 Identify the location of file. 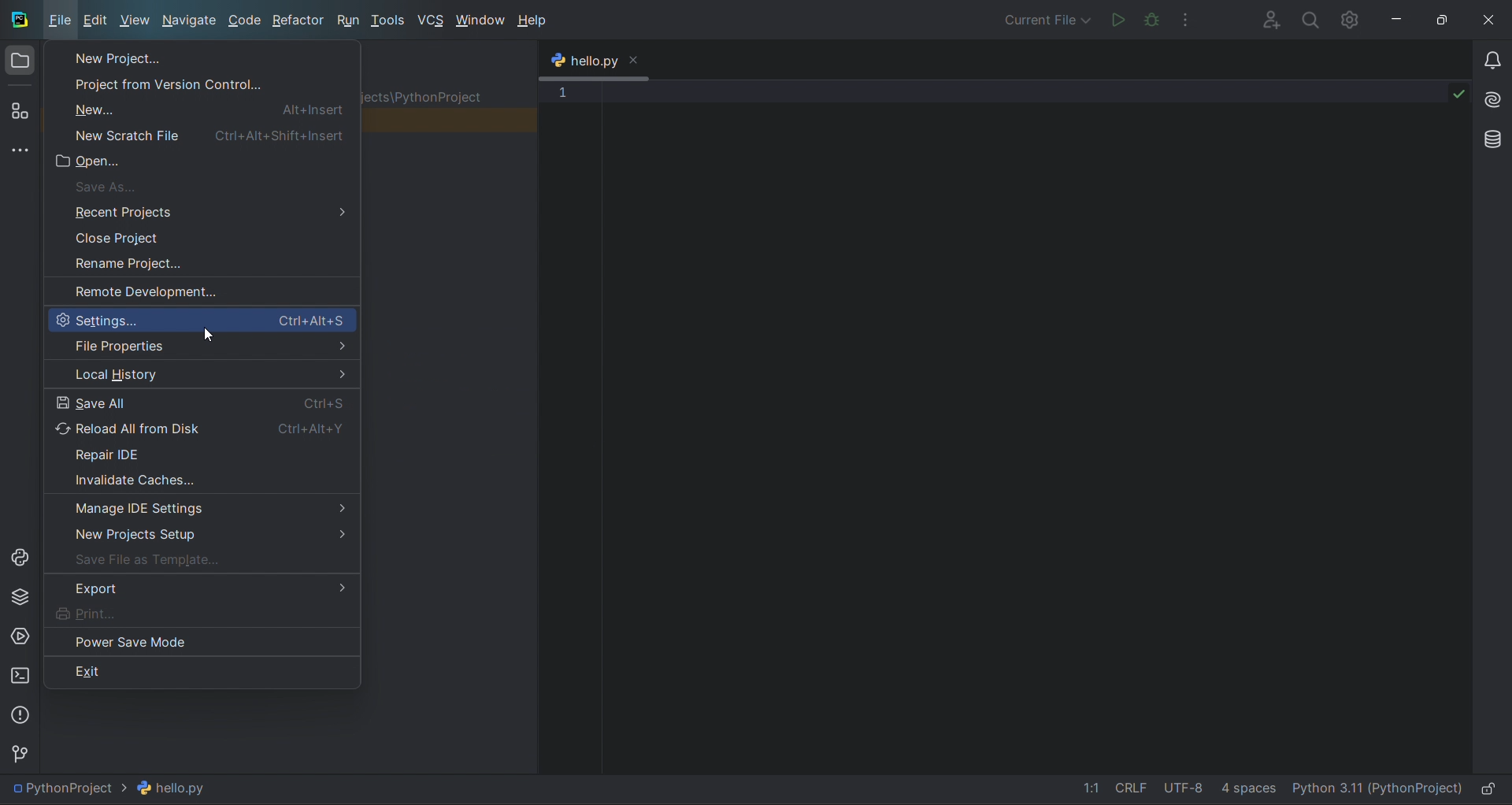
(56, 23).